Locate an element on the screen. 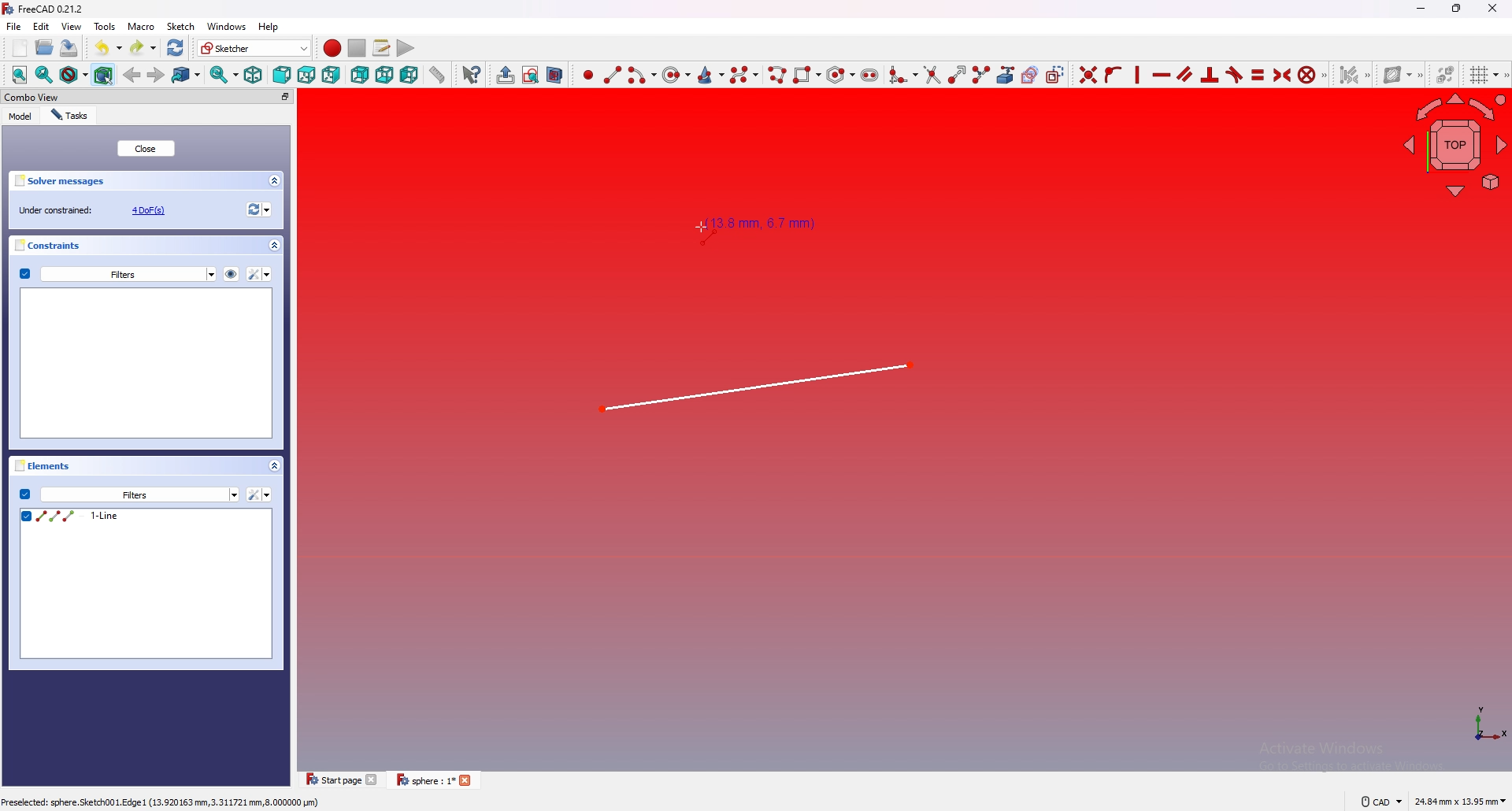  CAD is located at coordinates (1378, 802).